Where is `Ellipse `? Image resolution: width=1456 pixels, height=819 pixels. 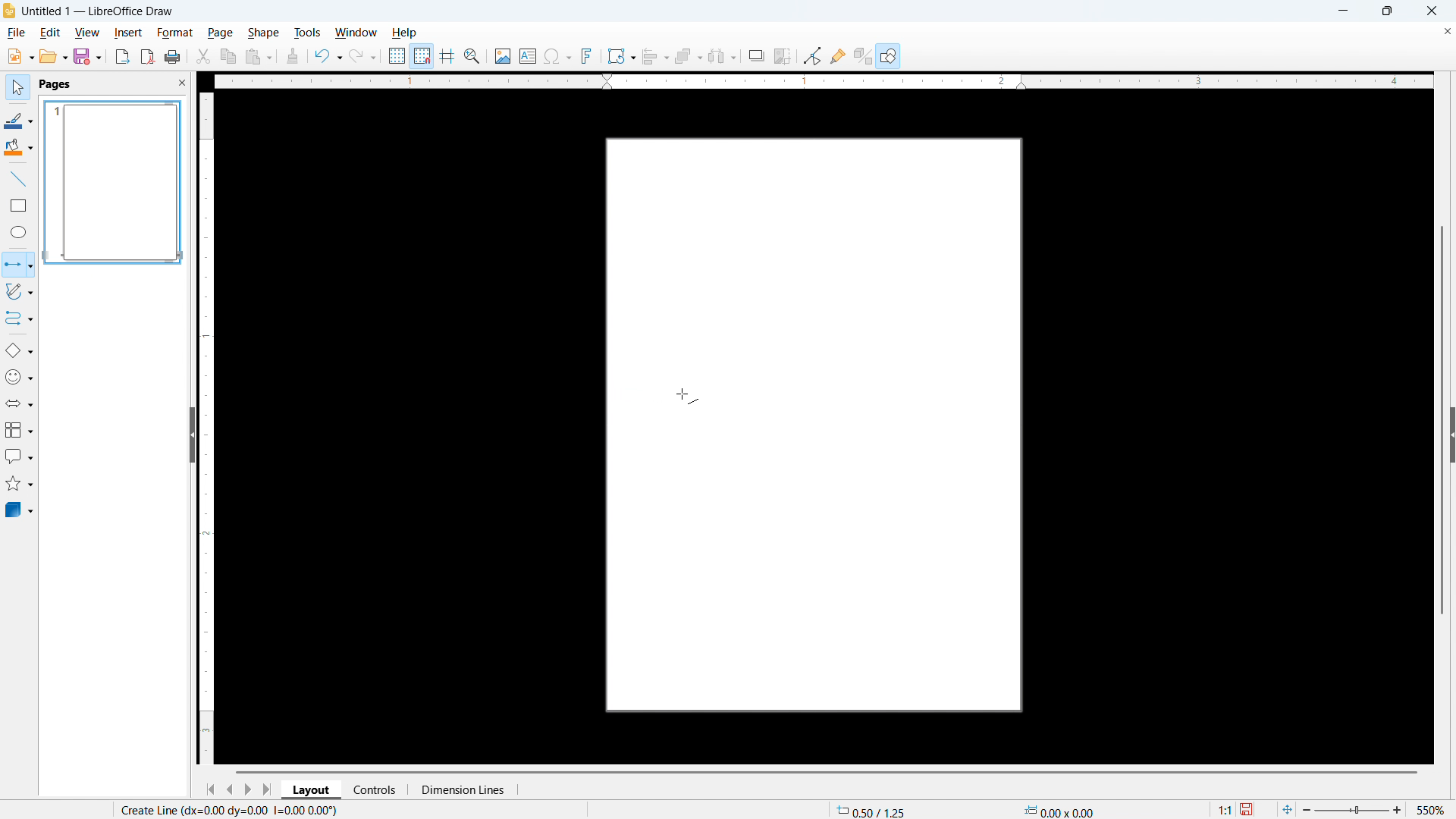
Ellipse  is located at coordinates (19, 231).